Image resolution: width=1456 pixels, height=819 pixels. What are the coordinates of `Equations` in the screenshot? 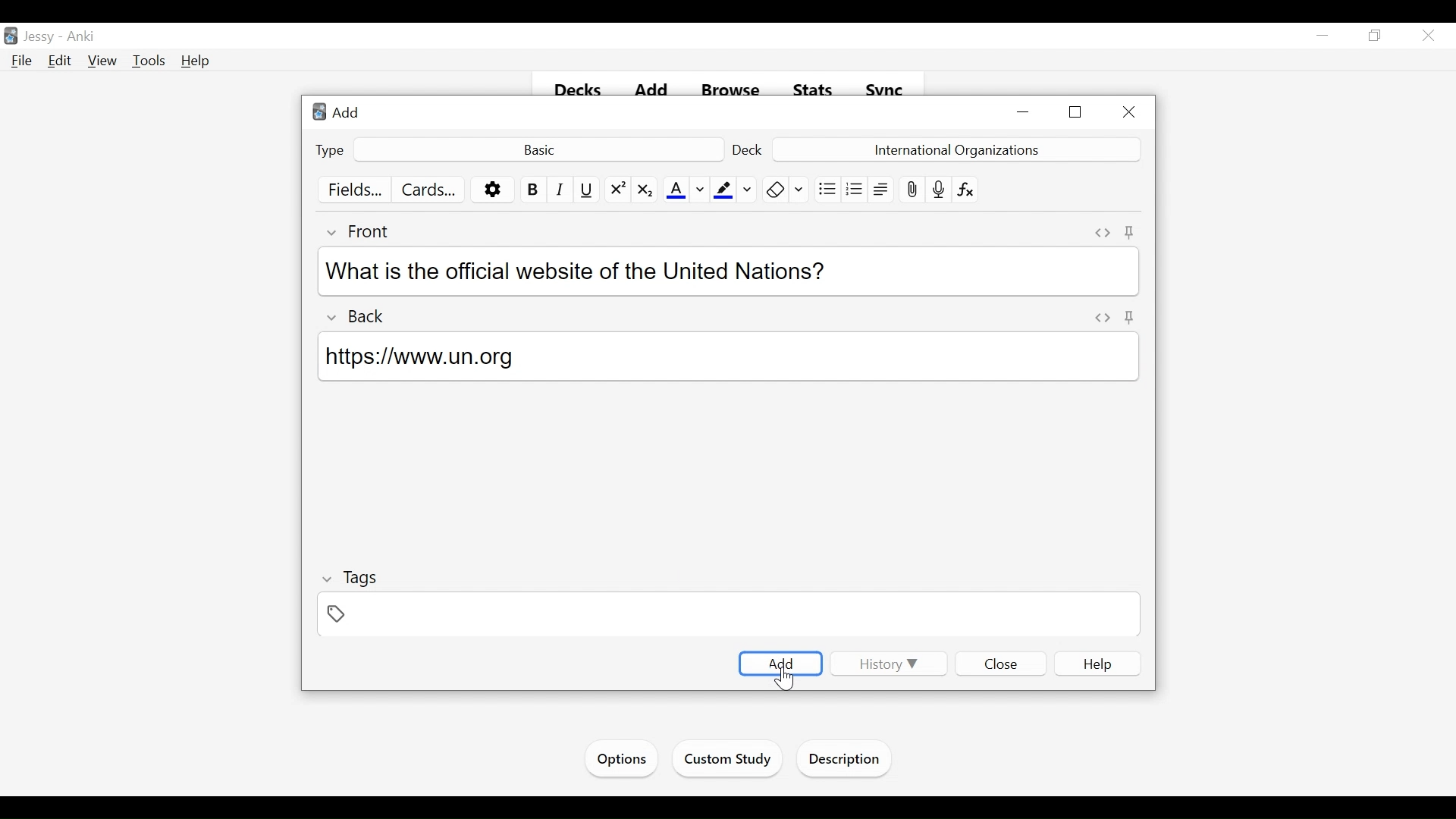 It's located at (964, 190).